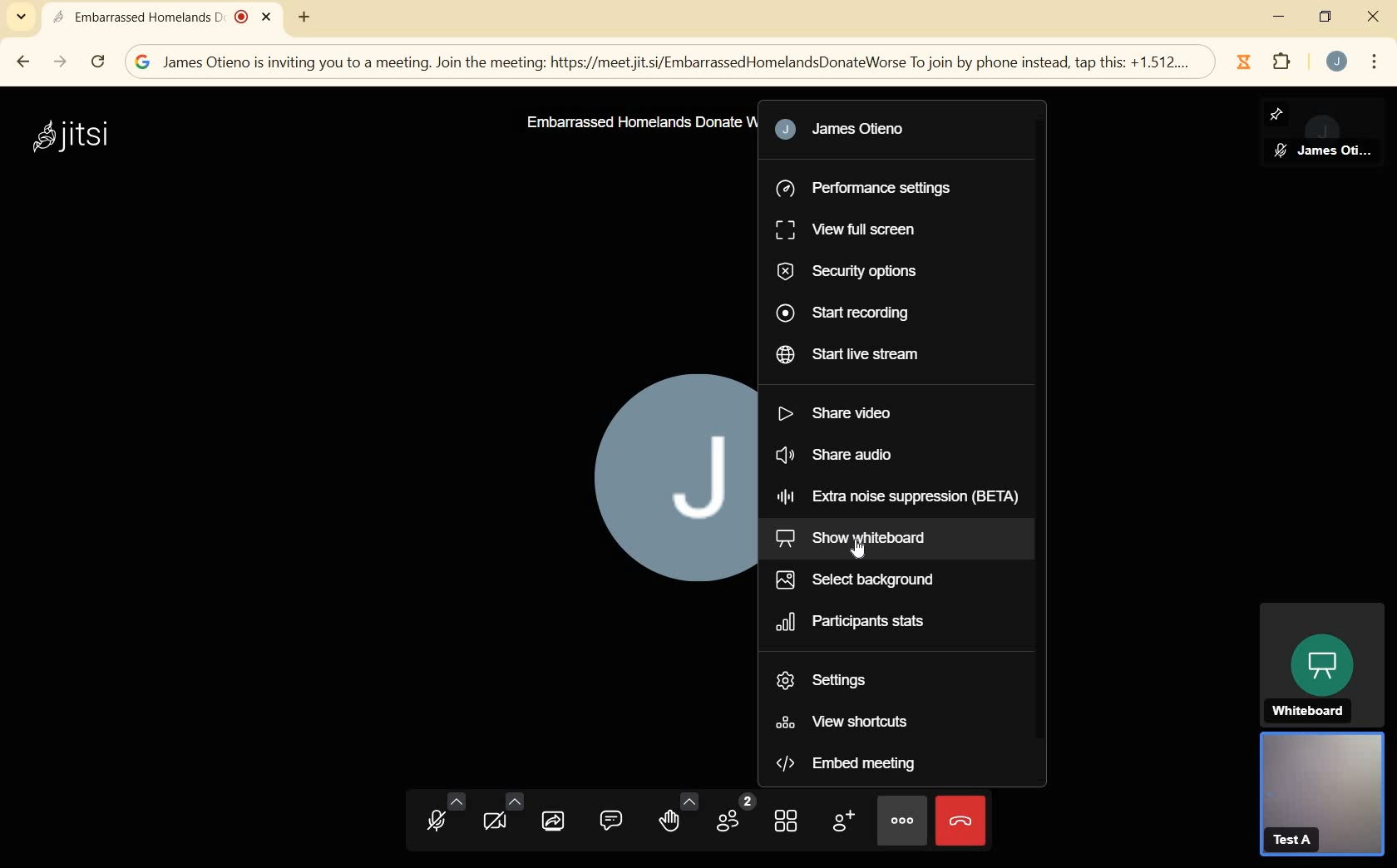 The height and width of the screenshot is (868, 1397). What do you see at coordinates (788, 824) in the screenshot?
I see `toggle tile view` at bounding box center [788, 824].